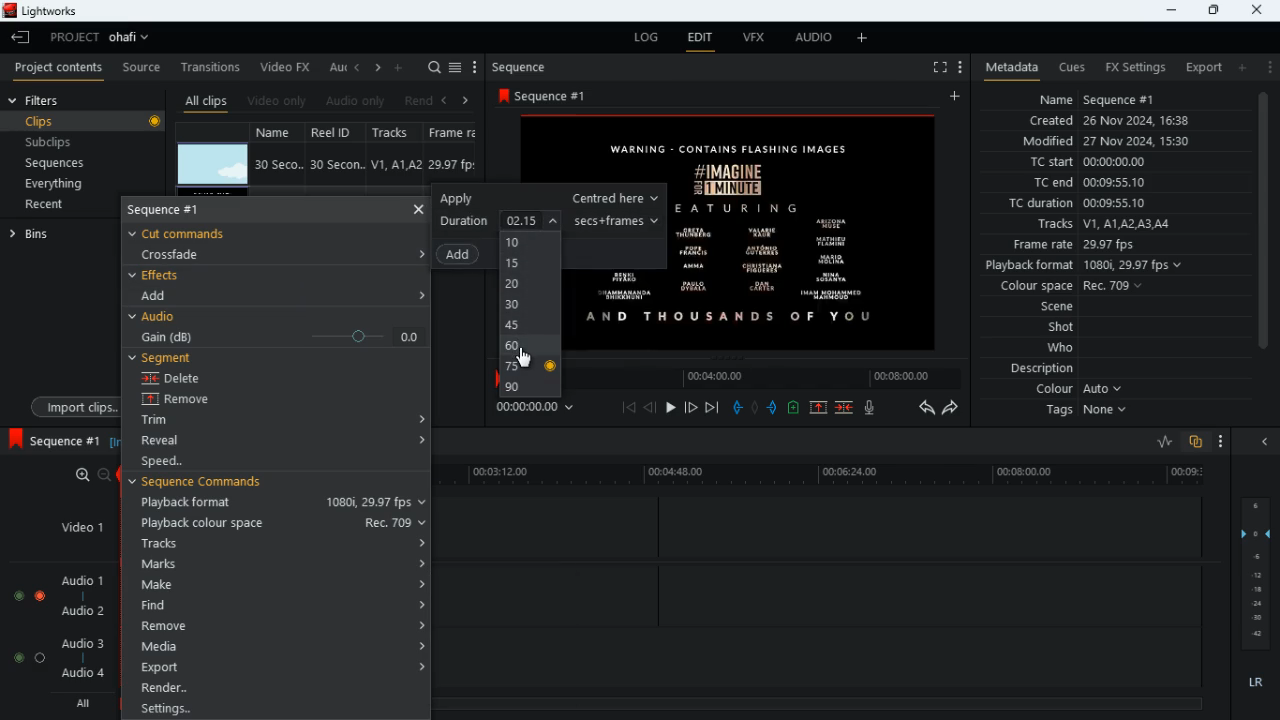 The width and height of the screenshot is (1280, 720). Describe the element at coordinates (548, 198) in the screenshot. I see `apply` at that location.